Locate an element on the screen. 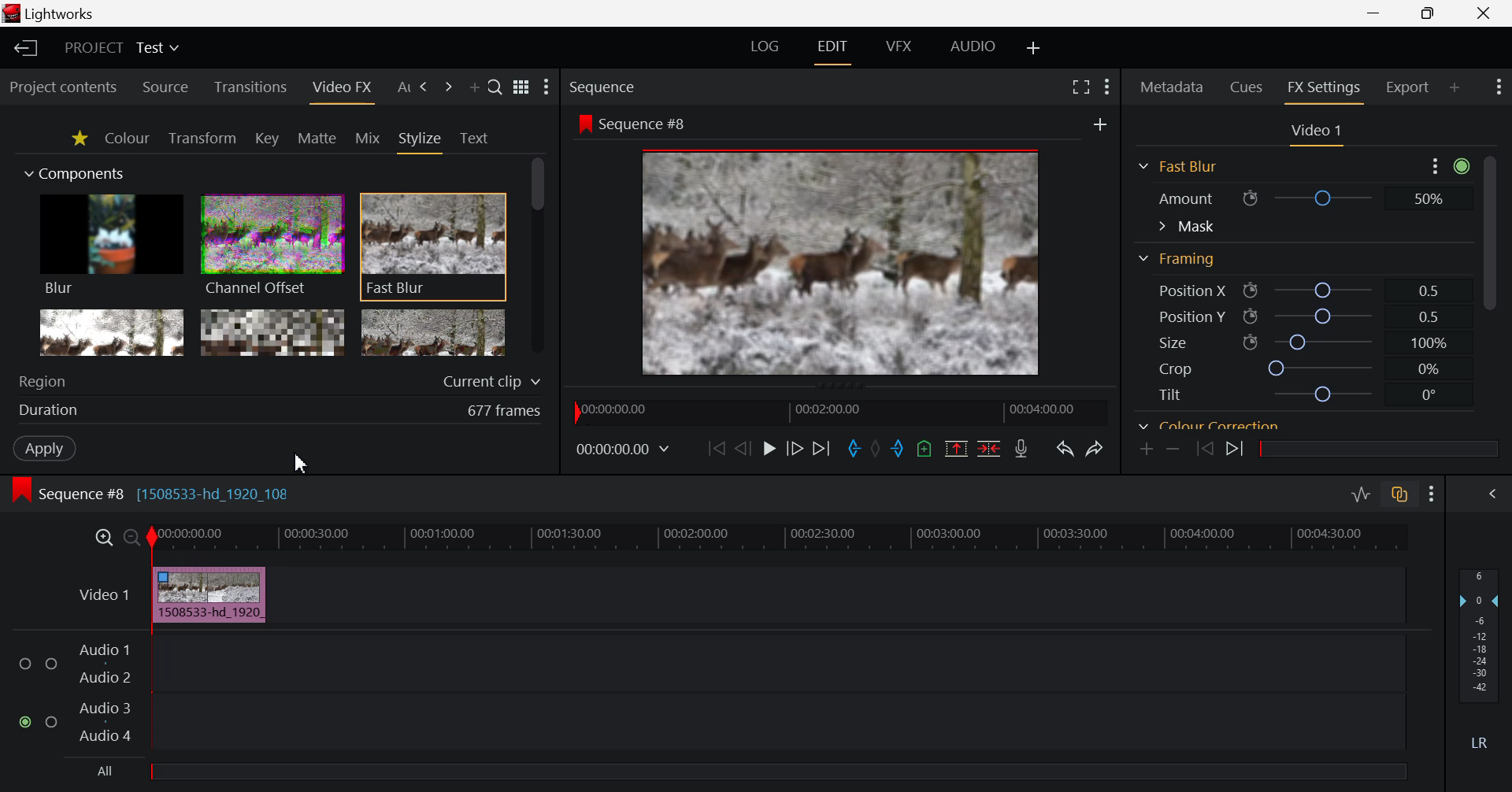 This screenshot has height=792, width=1512. Size is located at coordinates (1299, 341).